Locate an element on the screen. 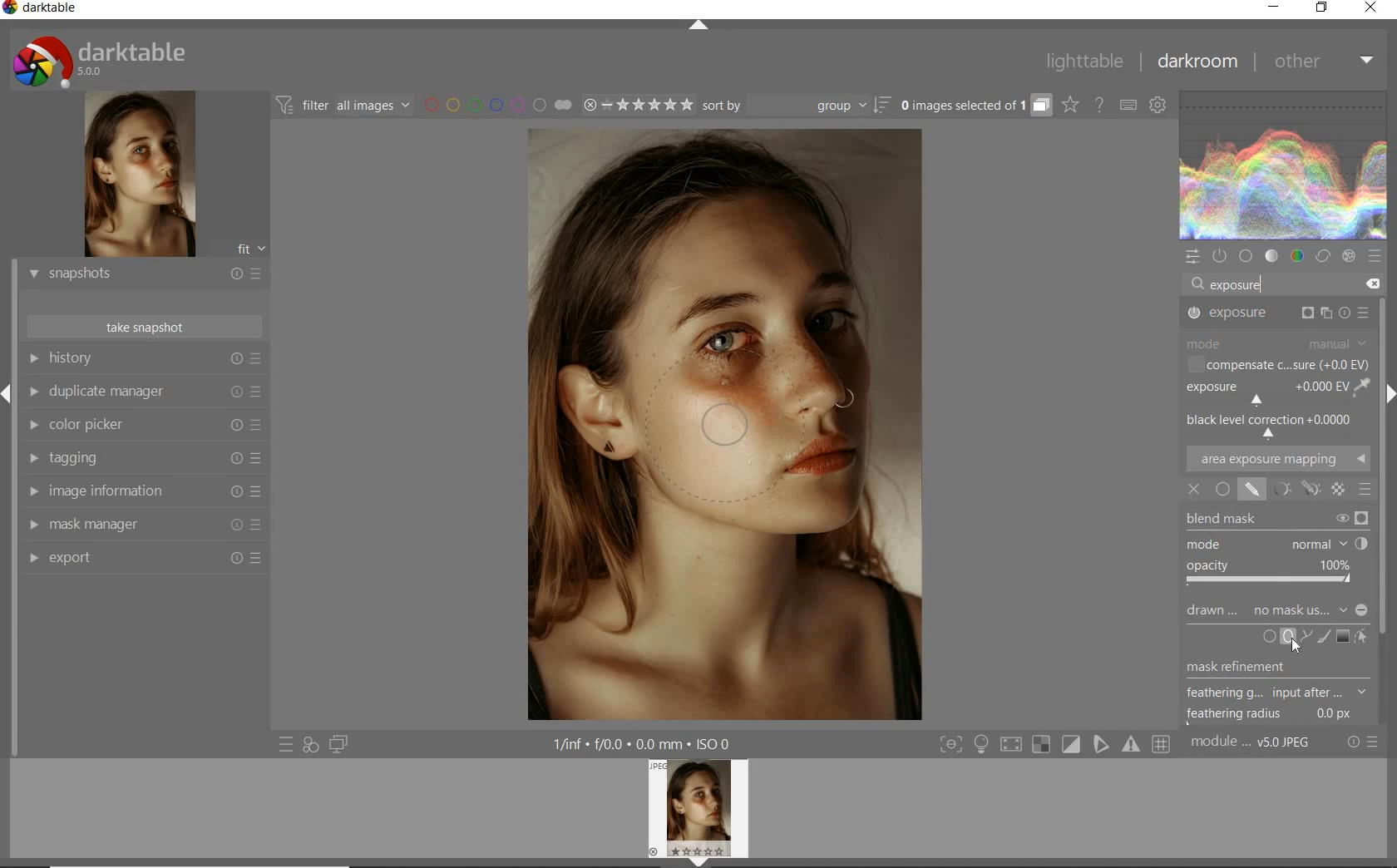 The width and height of the screenshot is (1397, 868). MASK OPTIONS is located at coordinates (1310, 490).